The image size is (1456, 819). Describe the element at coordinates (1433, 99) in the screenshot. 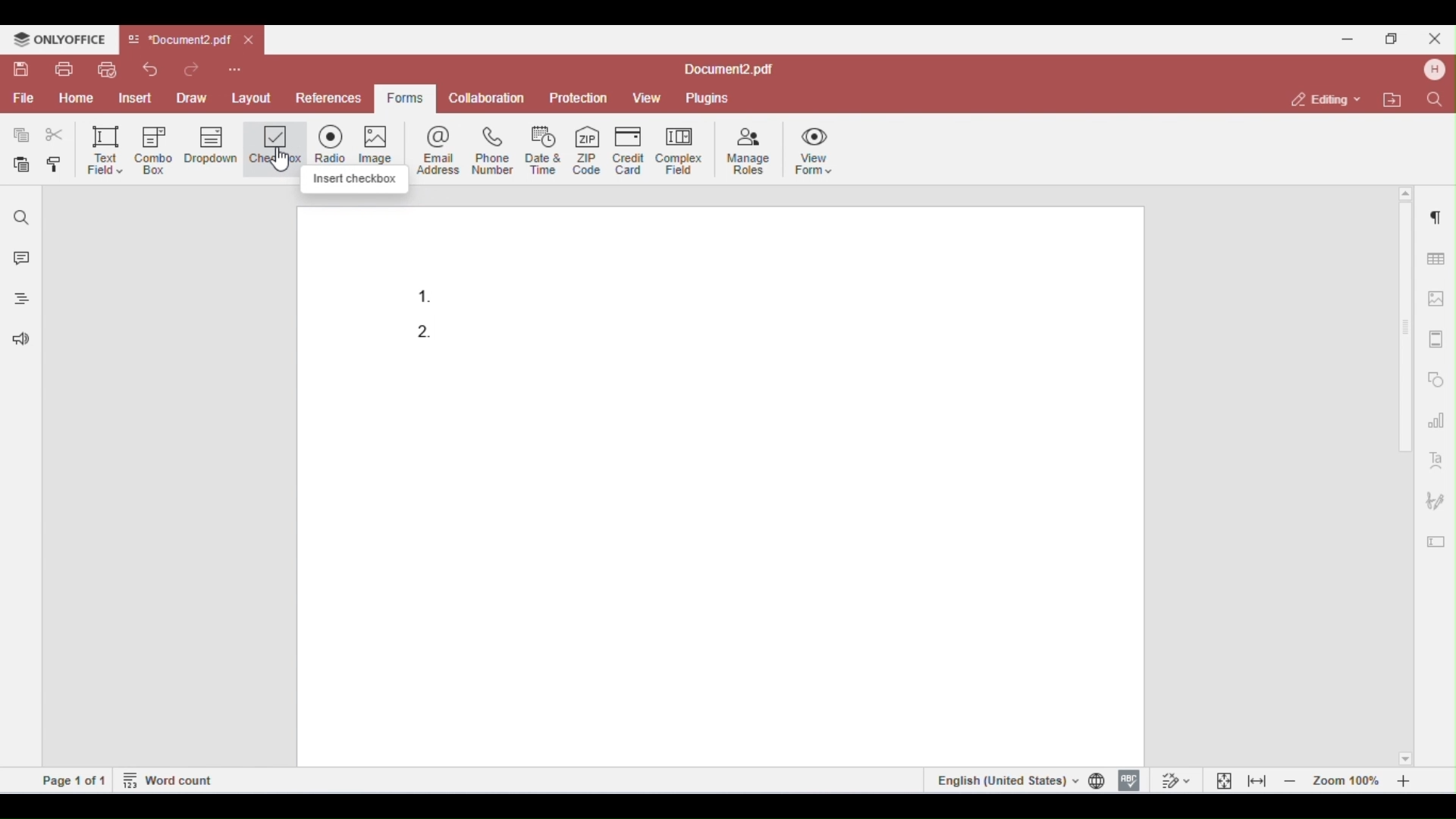

I see `find` at that location.